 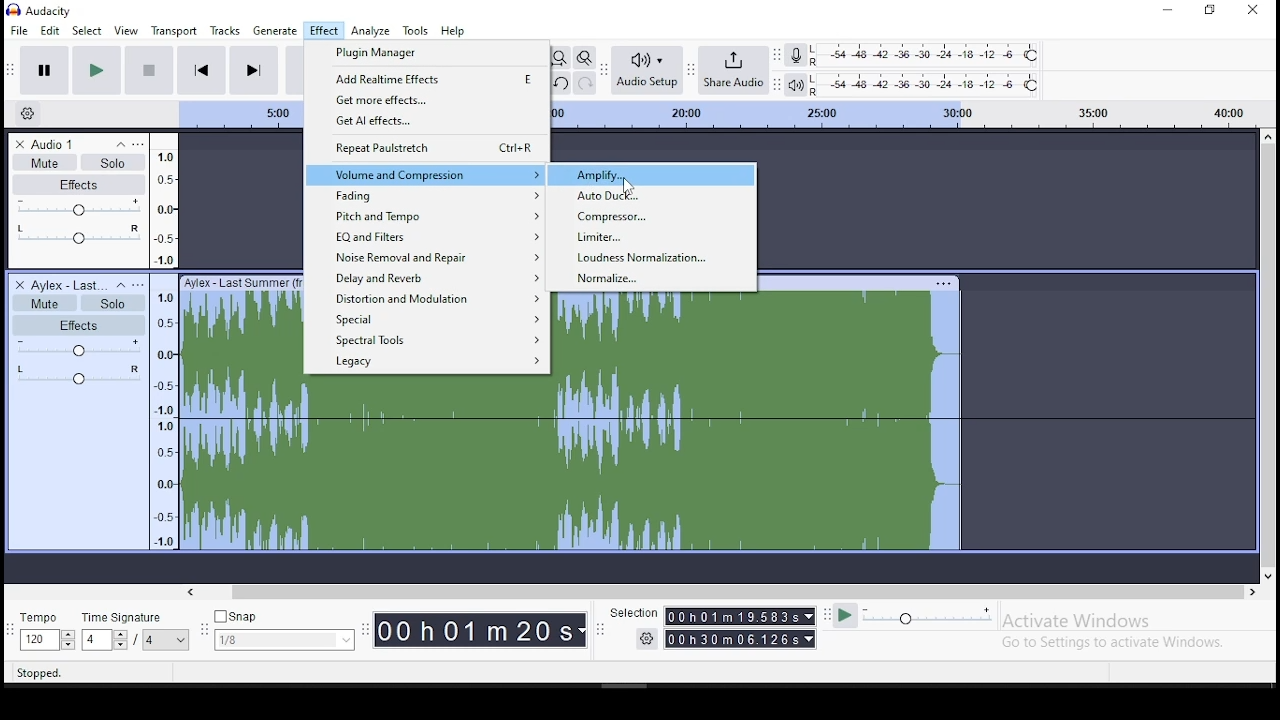 I want to click on distortion and modulation, so click(x=429, y=296).